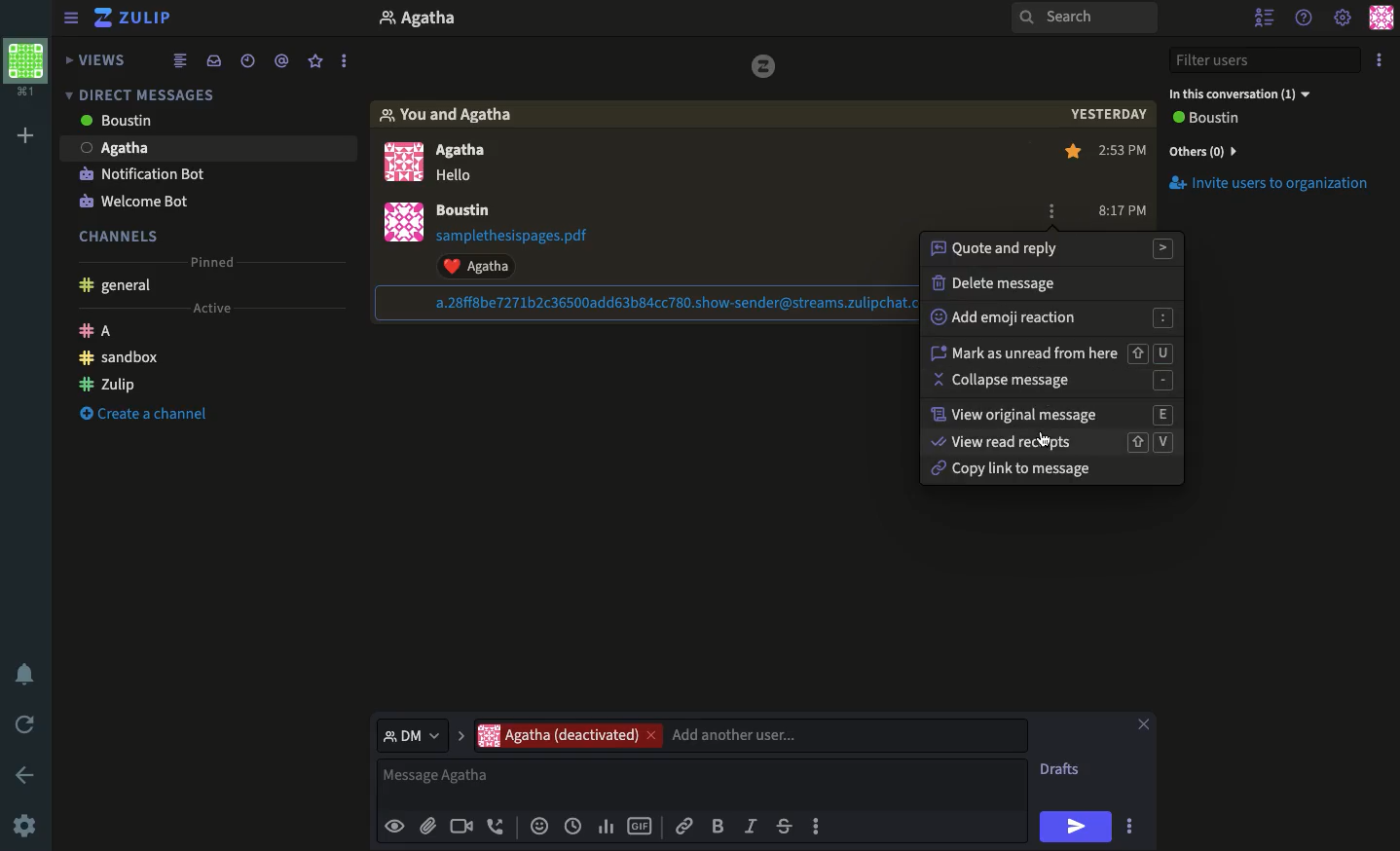  I want to click on Link, so click(684, 823).